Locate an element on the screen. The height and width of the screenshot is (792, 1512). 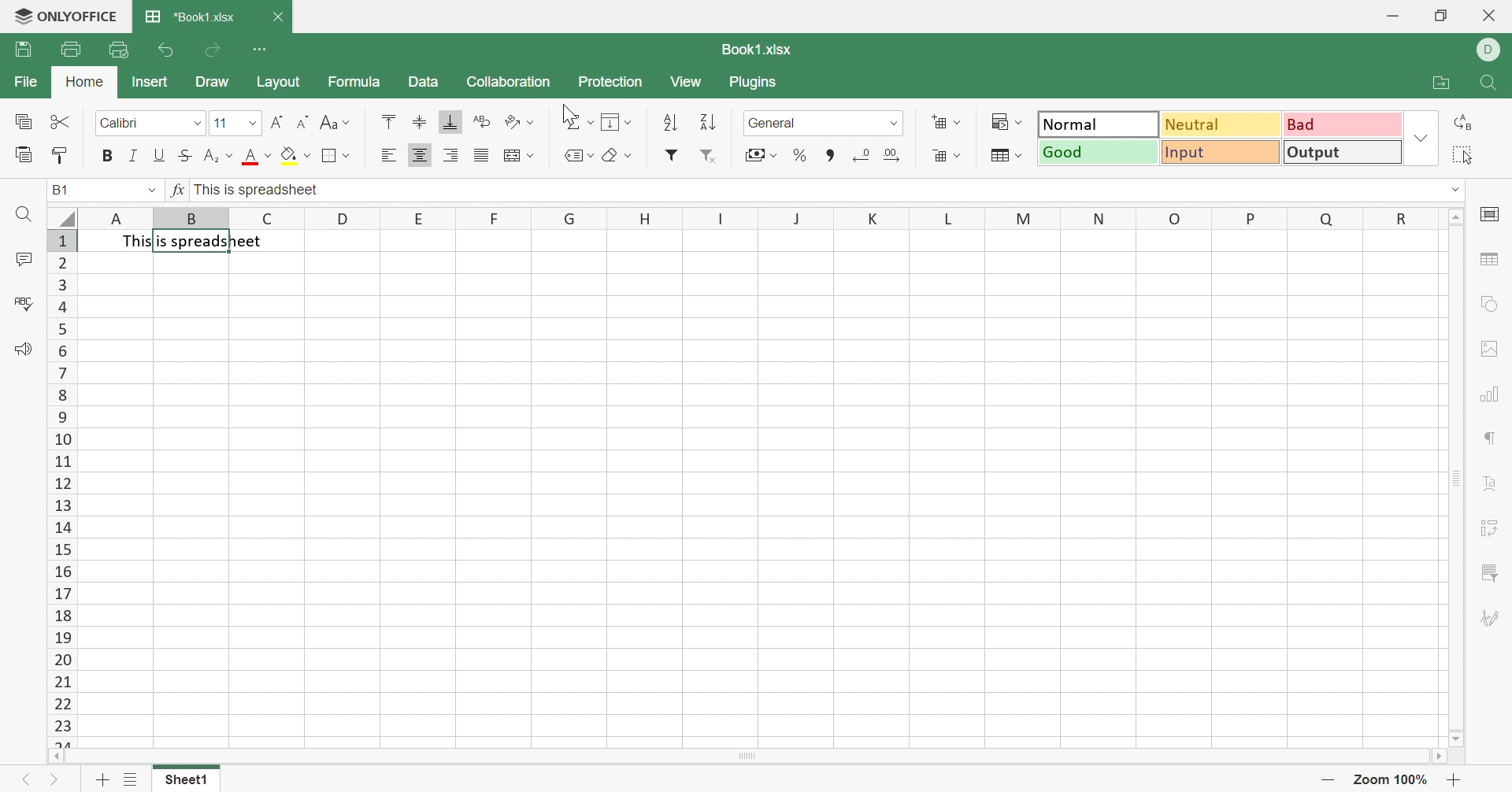
Select all is located at coordinates (1460, 157).